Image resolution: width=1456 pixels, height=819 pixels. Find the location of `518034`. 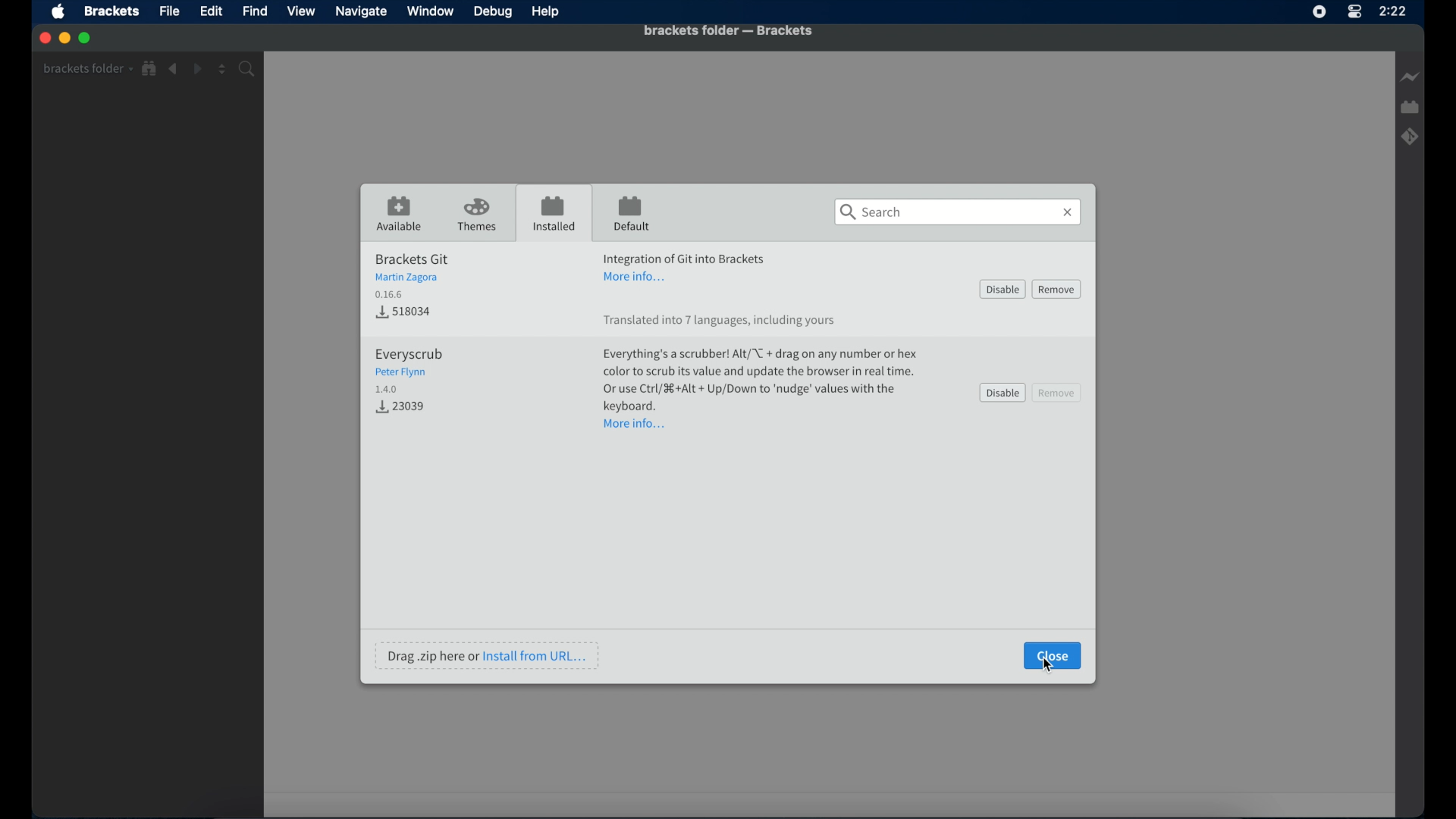

518034 is located at coordinates (403, 310).